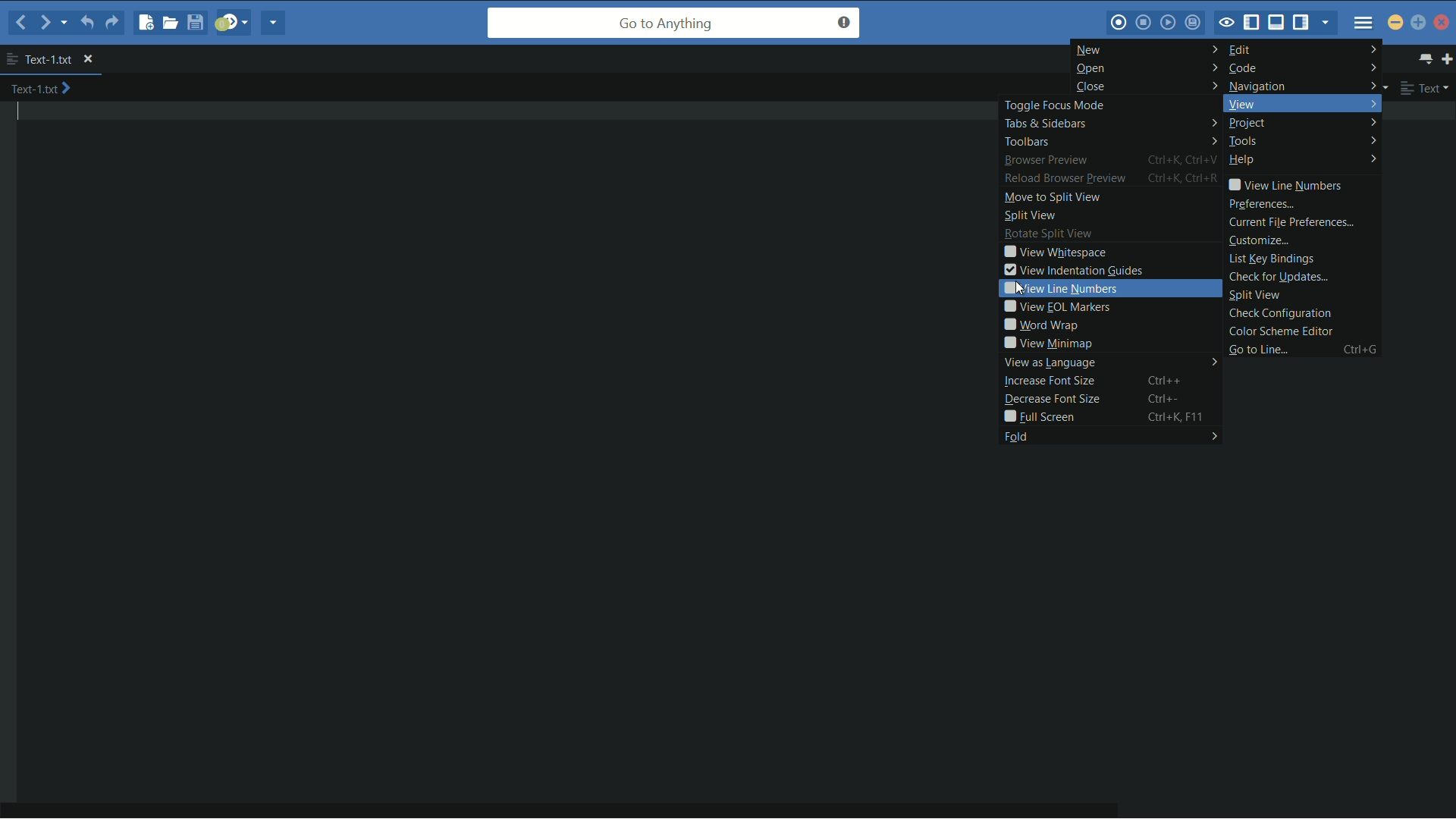 The height and width of the screenshot is (819, 1456). What do you see at coordinates (1304, 161) in the screenshot?
I see `help` at bounding box center [1304, 161].